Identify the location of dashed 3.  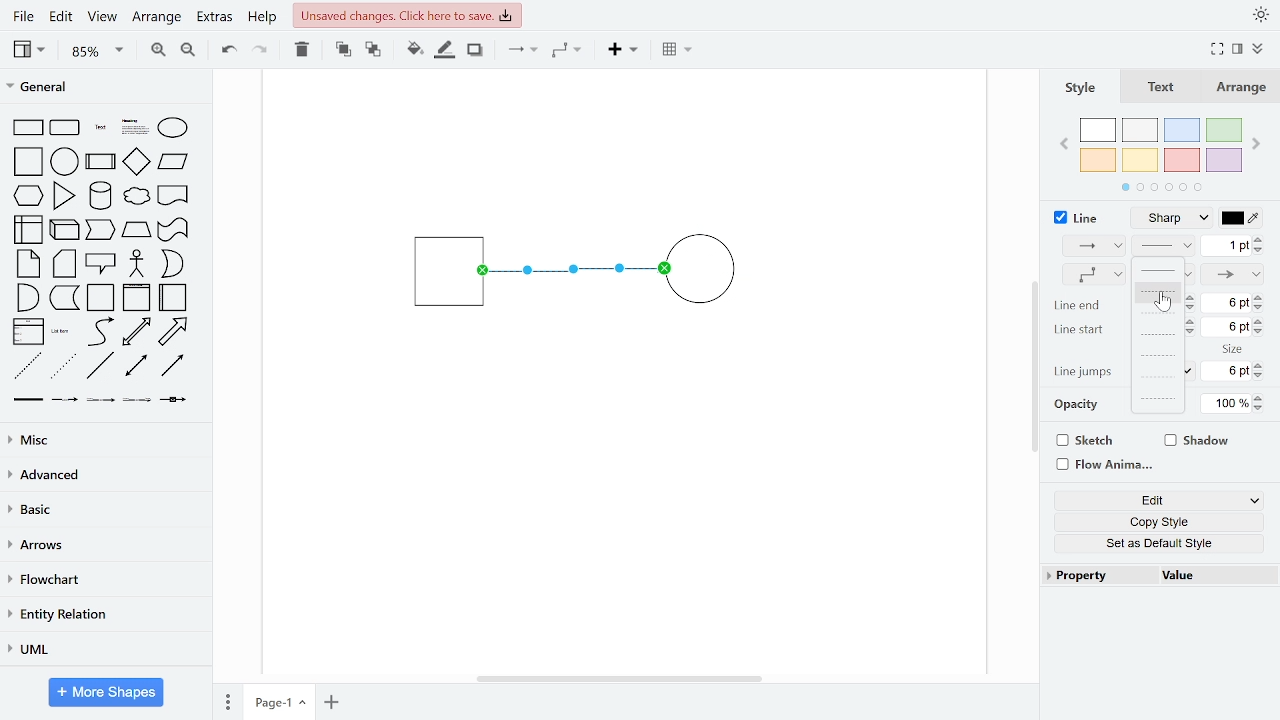
(1157, 336).